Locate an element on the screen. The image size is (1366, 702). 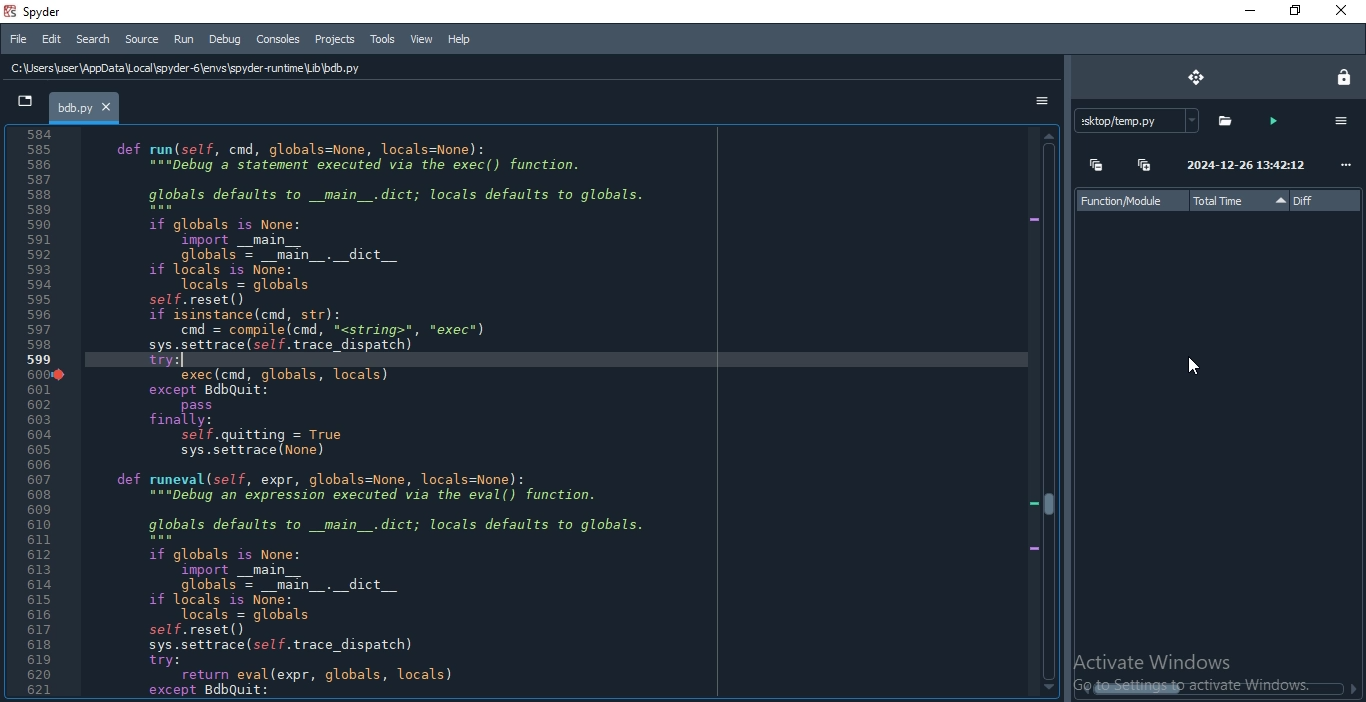
code is located at coordinates (537, 412).